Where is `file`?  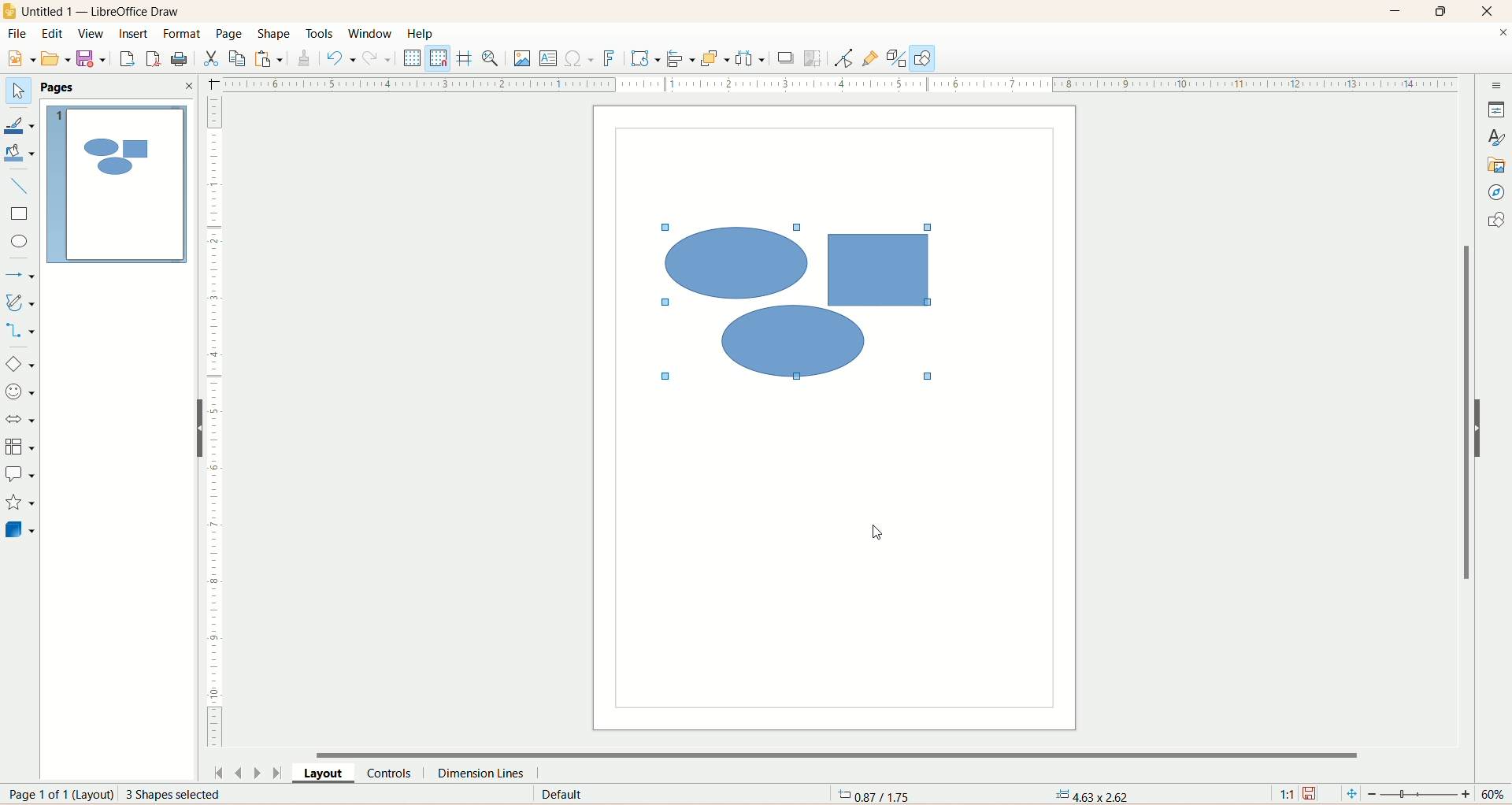
file is located at coordinates (16, 35).